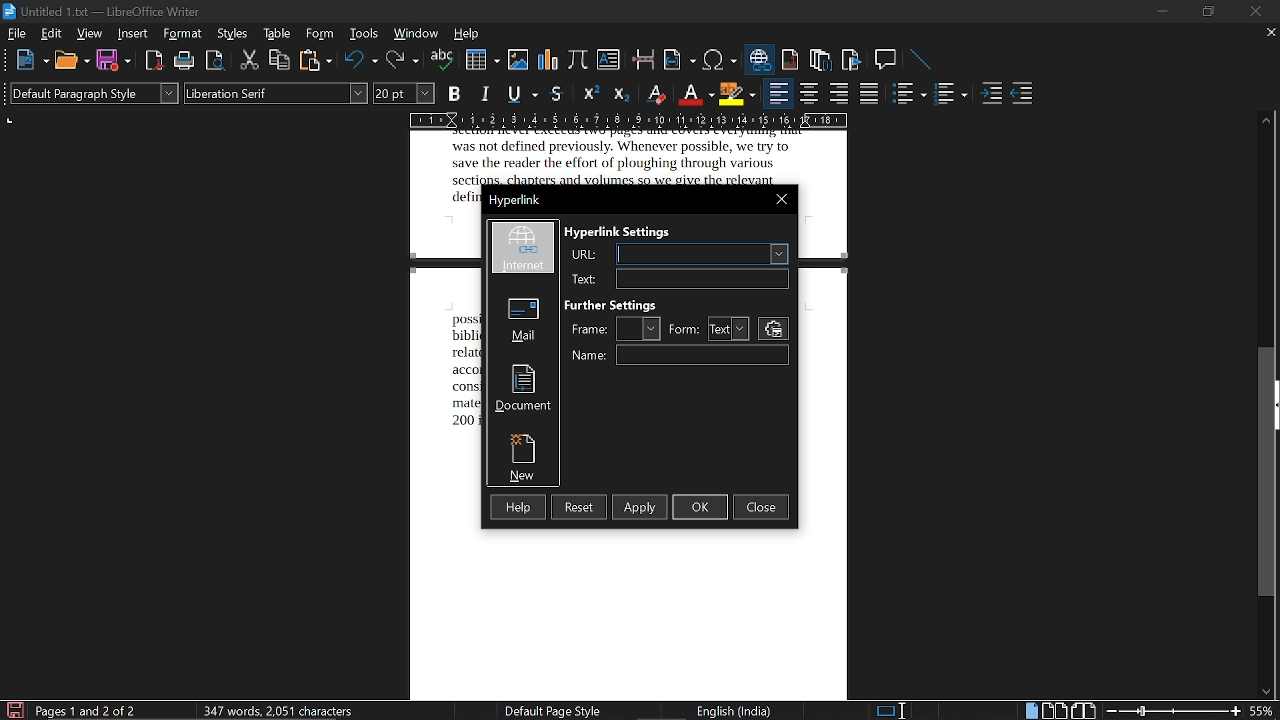 Image resolution: width=1280 pixels, height=720 pixels. What do you see at coordinates (1172, 711) in the screenshot?
I see `change zoom` at bounding box center [1172, 711].